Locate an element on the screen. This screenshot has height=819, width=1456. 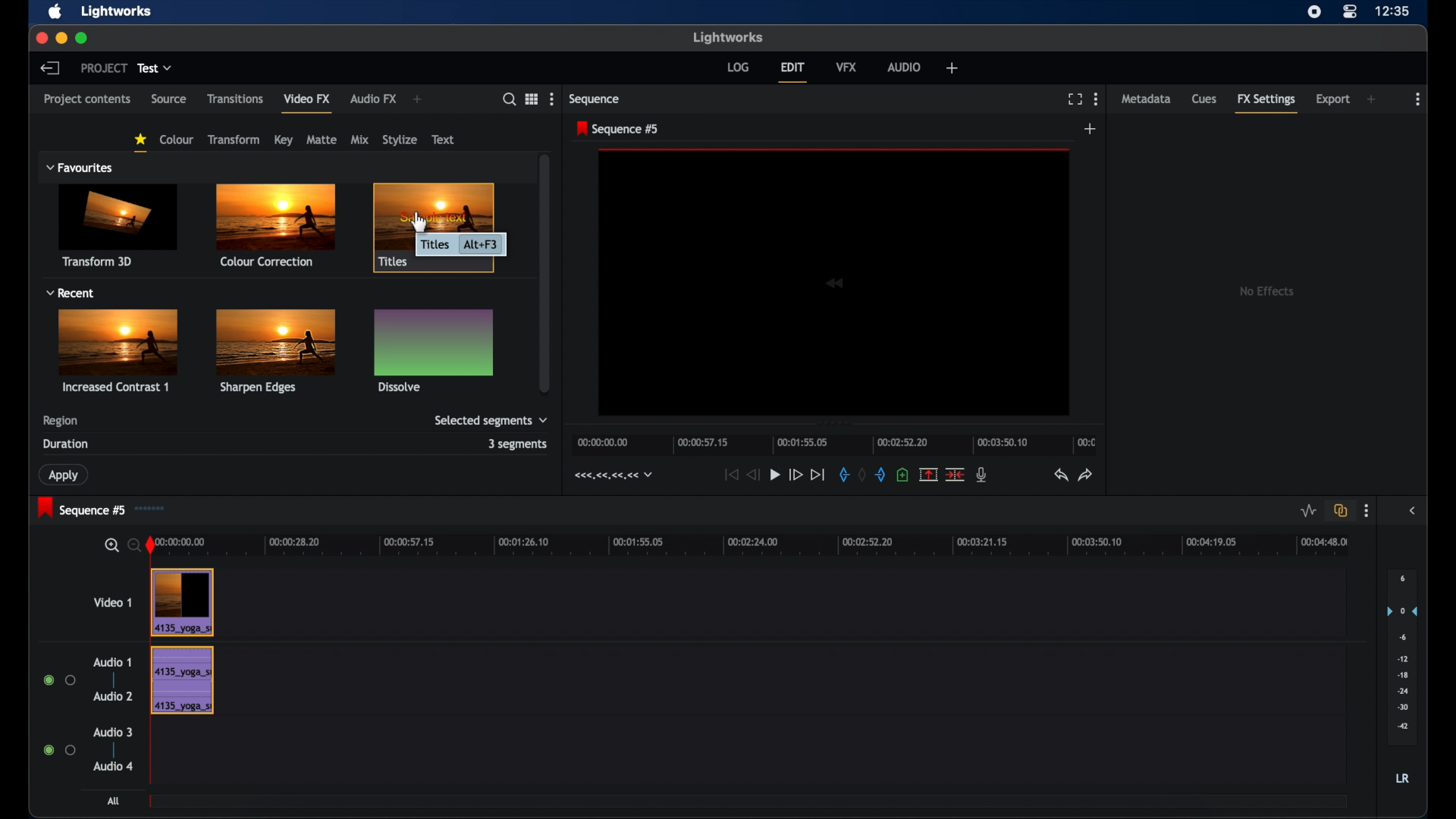
matte is located at coordinates (322, 140).